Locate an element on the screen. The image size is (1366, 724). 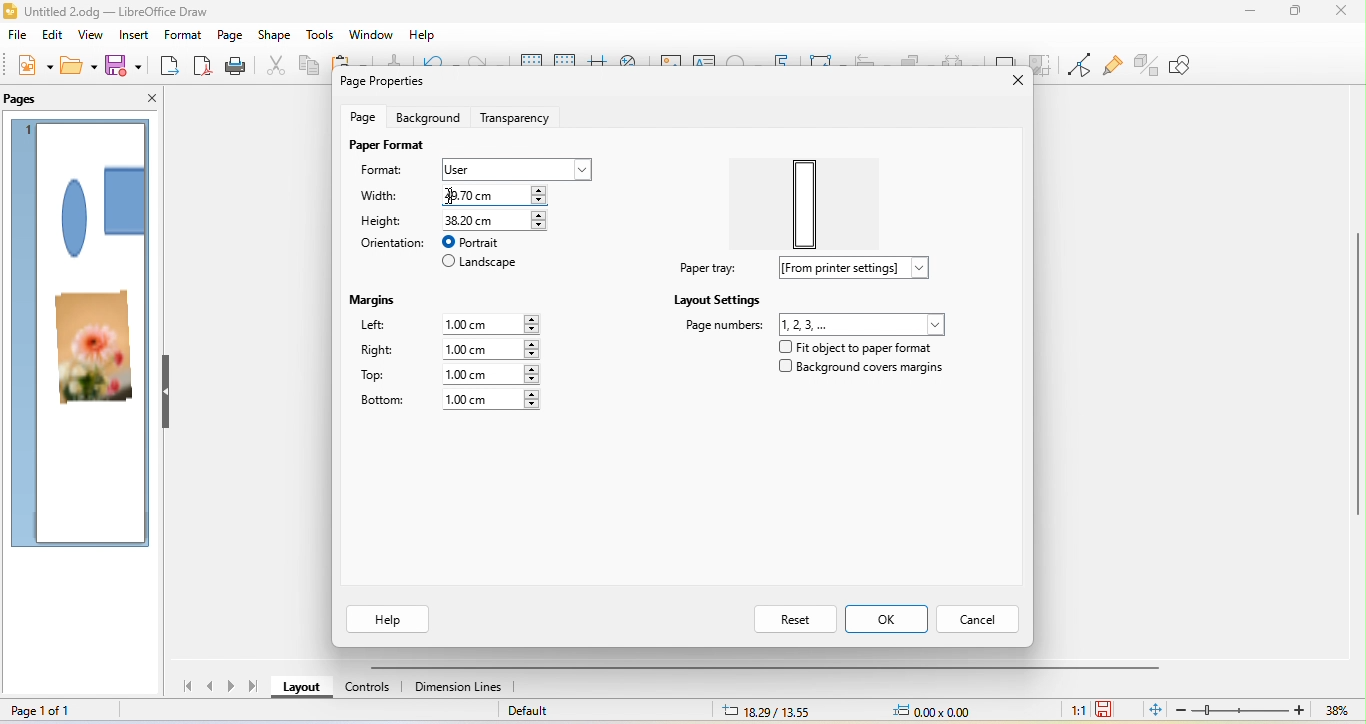
reset is located at coordinates (795, 619).